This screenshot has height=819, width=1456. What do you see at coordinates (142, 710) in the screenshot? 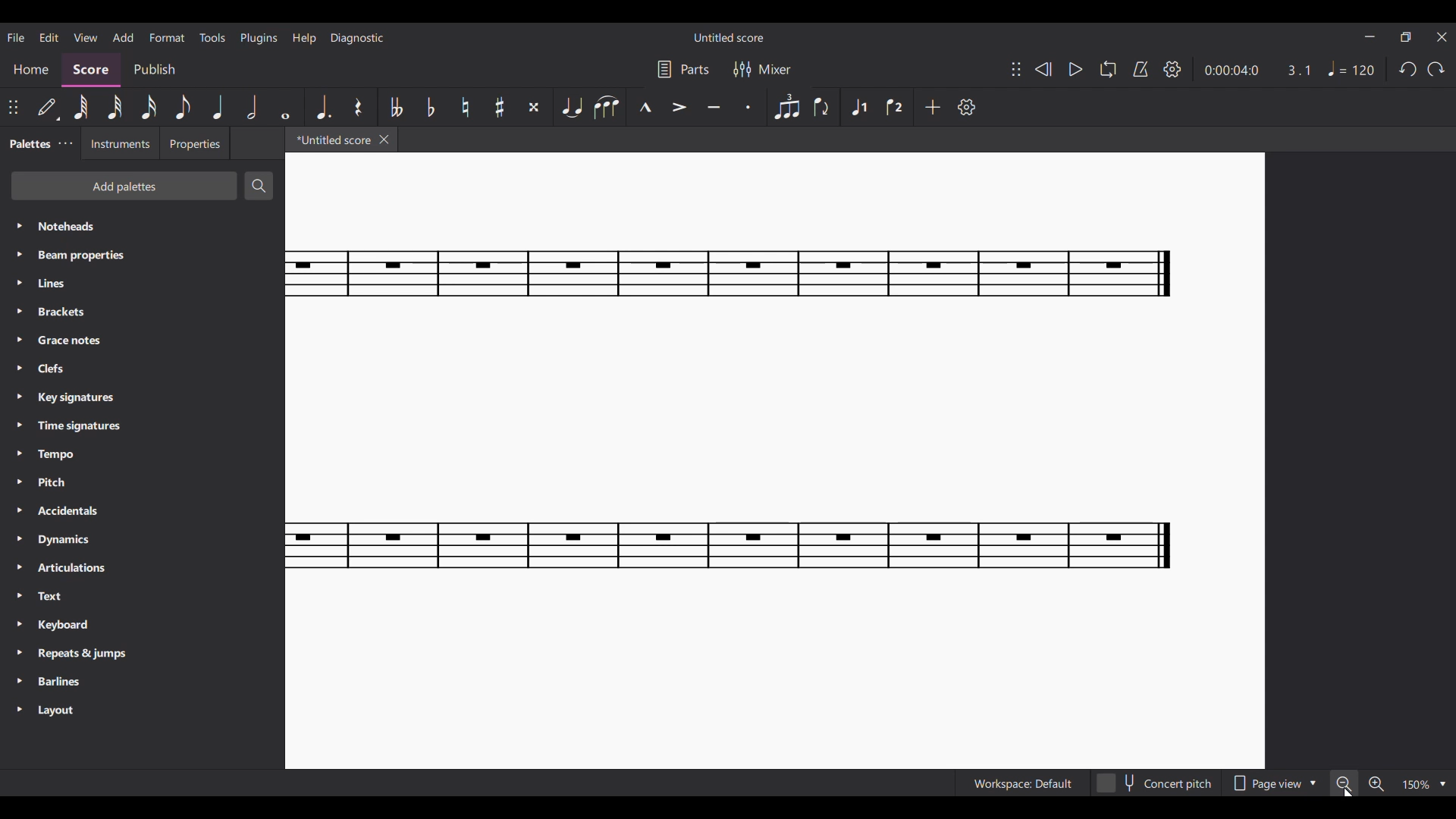
I see `Layout` at bounding box center [142, 710].